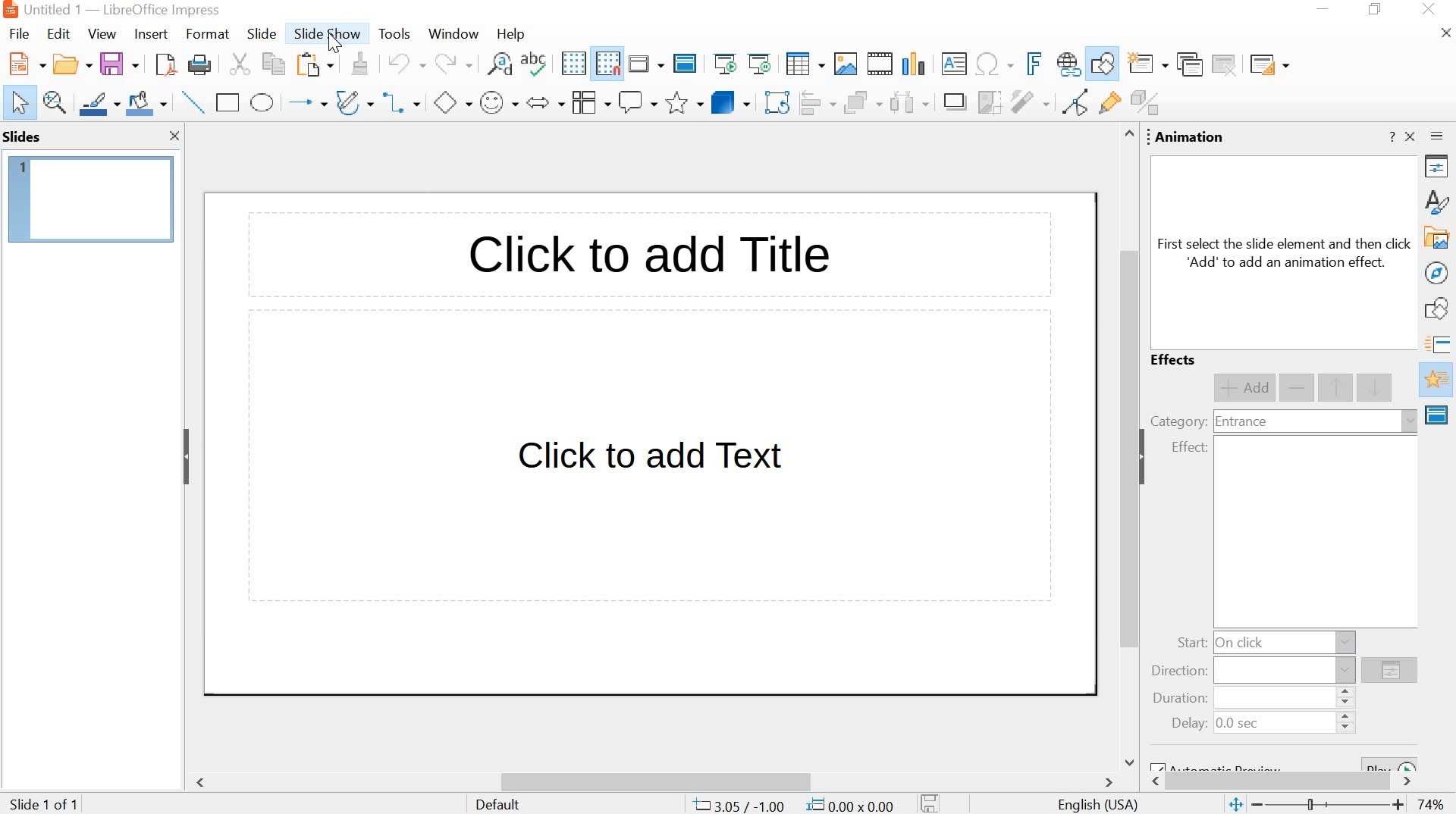 Image resolution: width=1456 pixels, height=814 pixels. Describe the element at coordinates (175, 137) in the screenshot. I see `close` at that location.